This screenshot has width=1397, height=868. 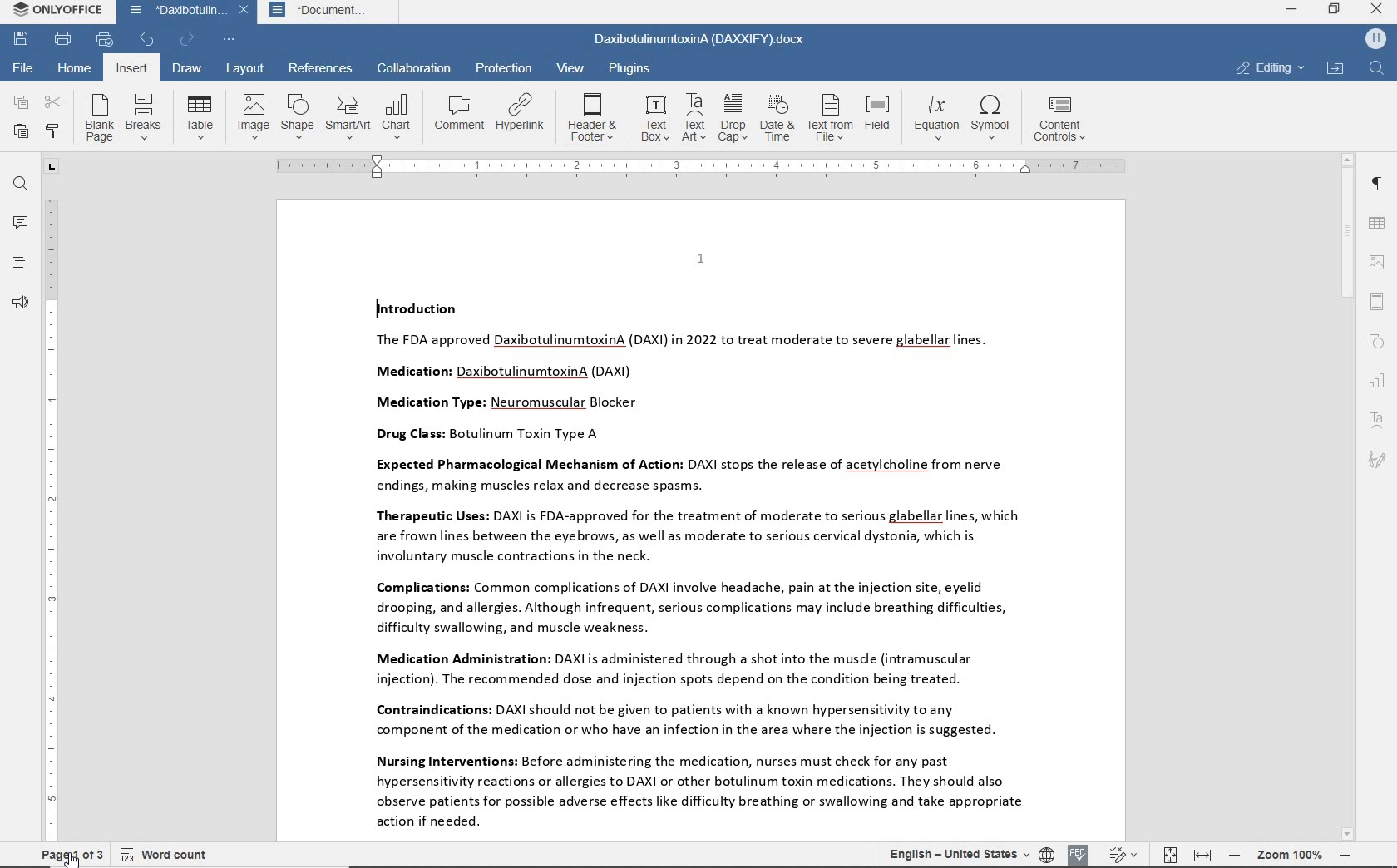 I want to click on *Daxibotulin..., so click(x=173, y=12).